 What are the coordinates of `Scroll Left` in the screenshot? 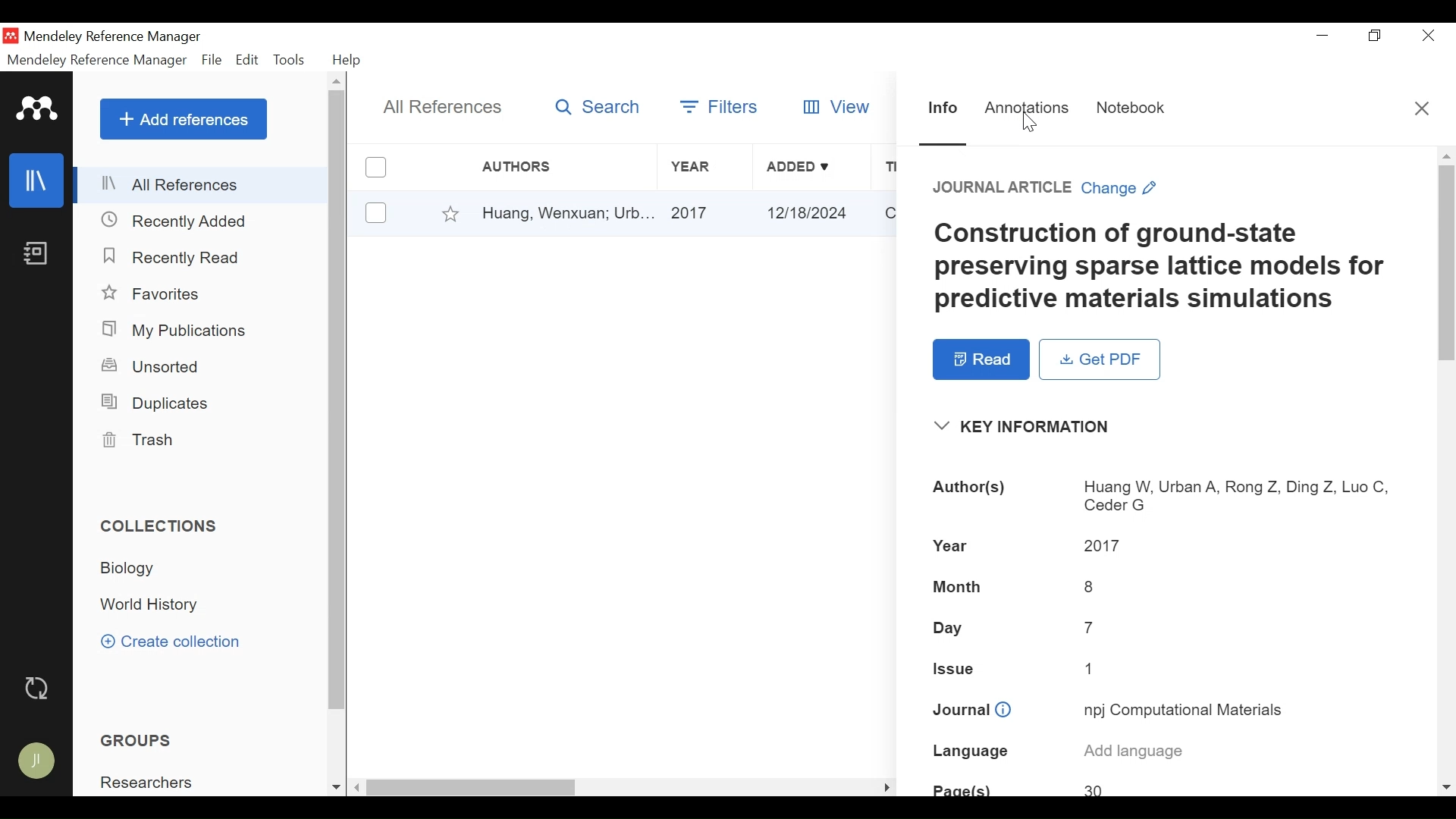 It's located at (356, 788).